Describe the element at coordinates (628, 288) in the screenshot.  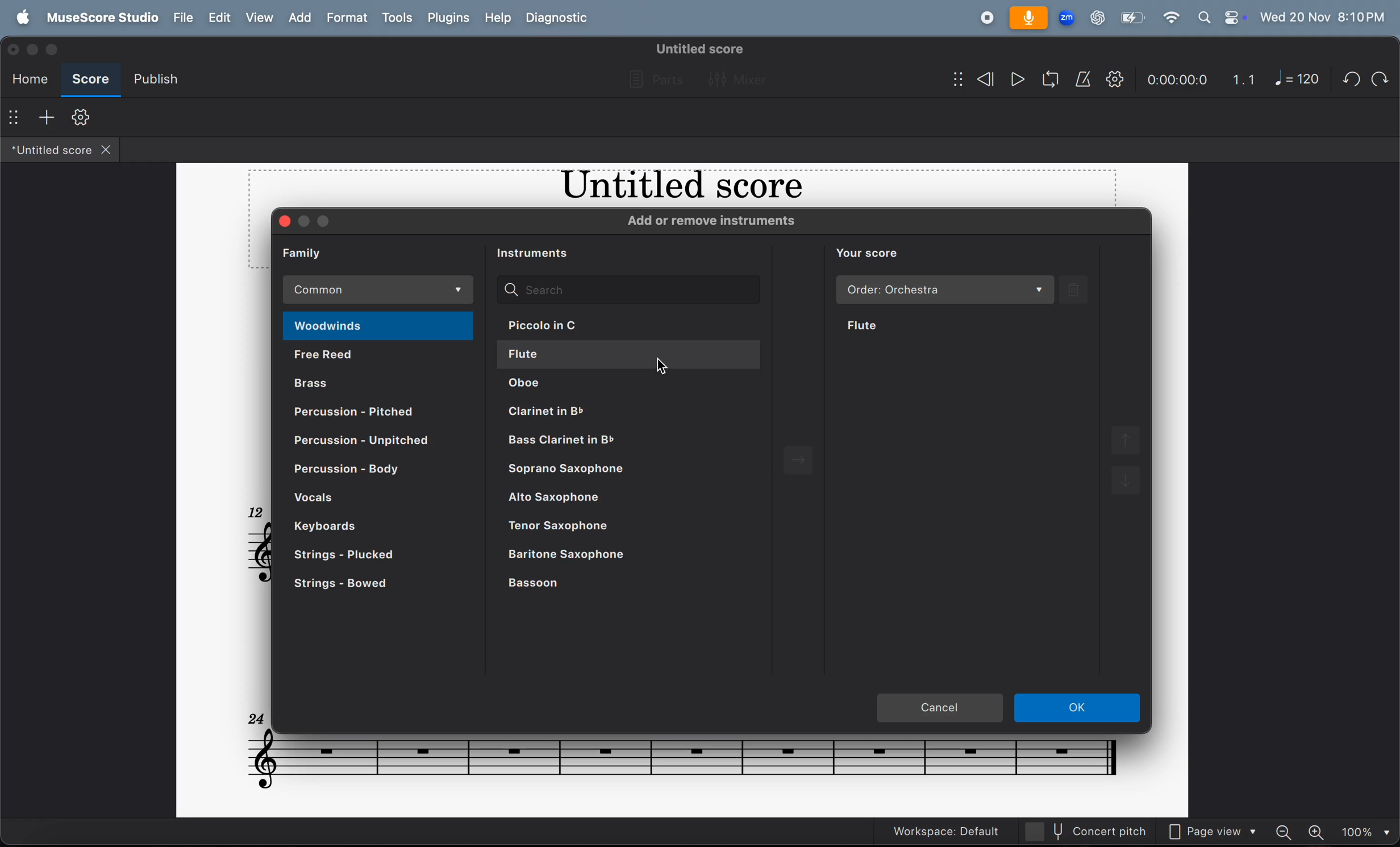
I see `search` at that location.